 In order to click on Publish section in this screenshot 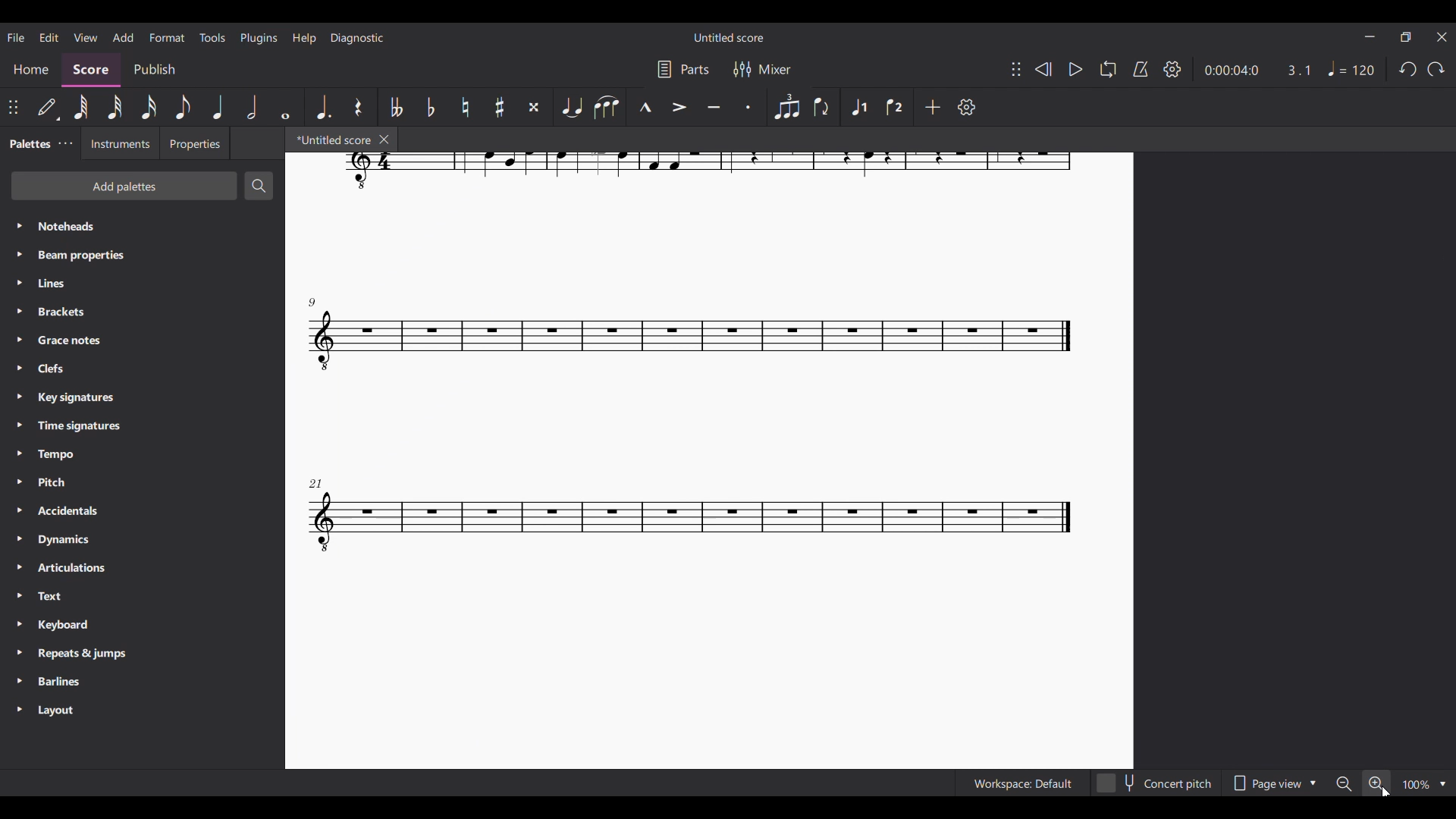, I will do `click(154, 70)`.